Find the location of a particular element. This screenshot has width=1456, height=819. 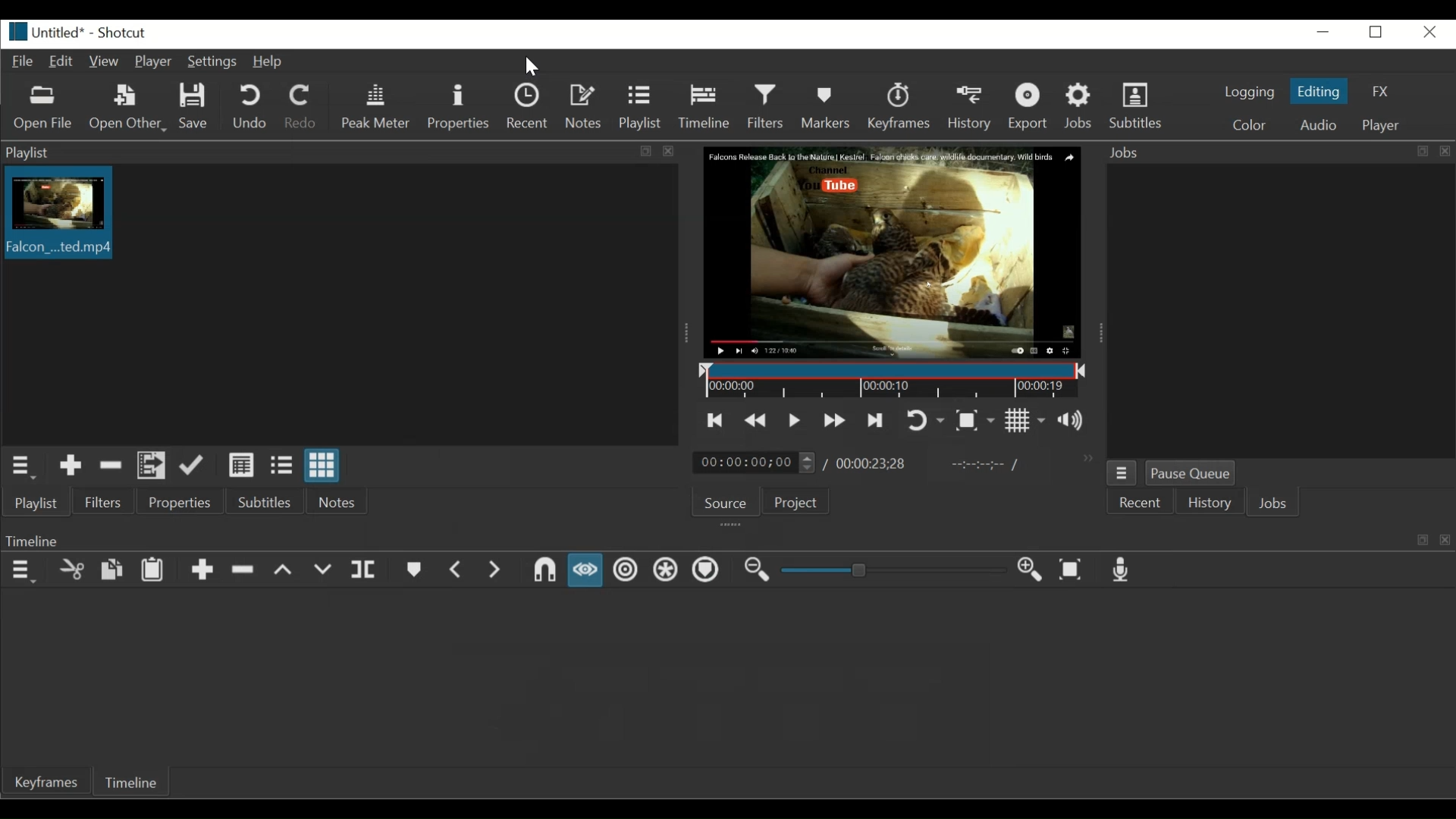

Recent is located at coordinates (527, 107).